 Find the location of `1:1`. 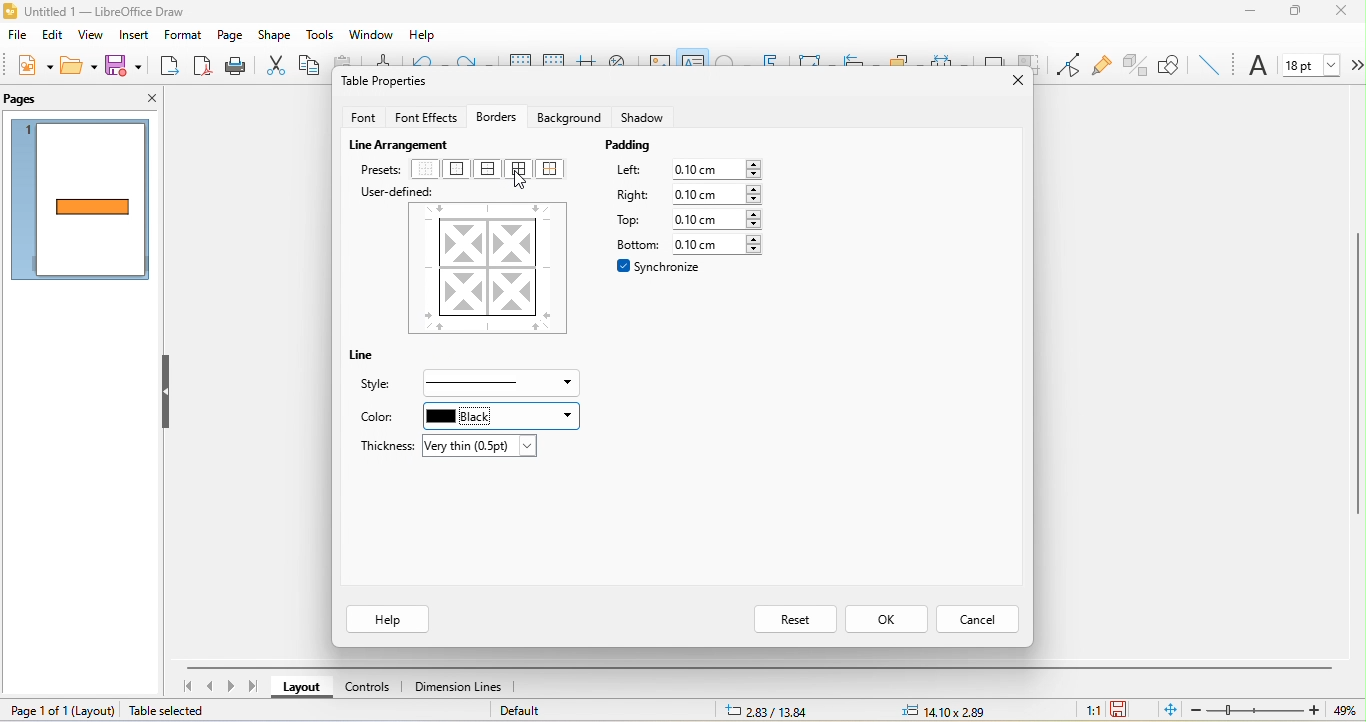

1:1 is located at coordinates (1083, 710).